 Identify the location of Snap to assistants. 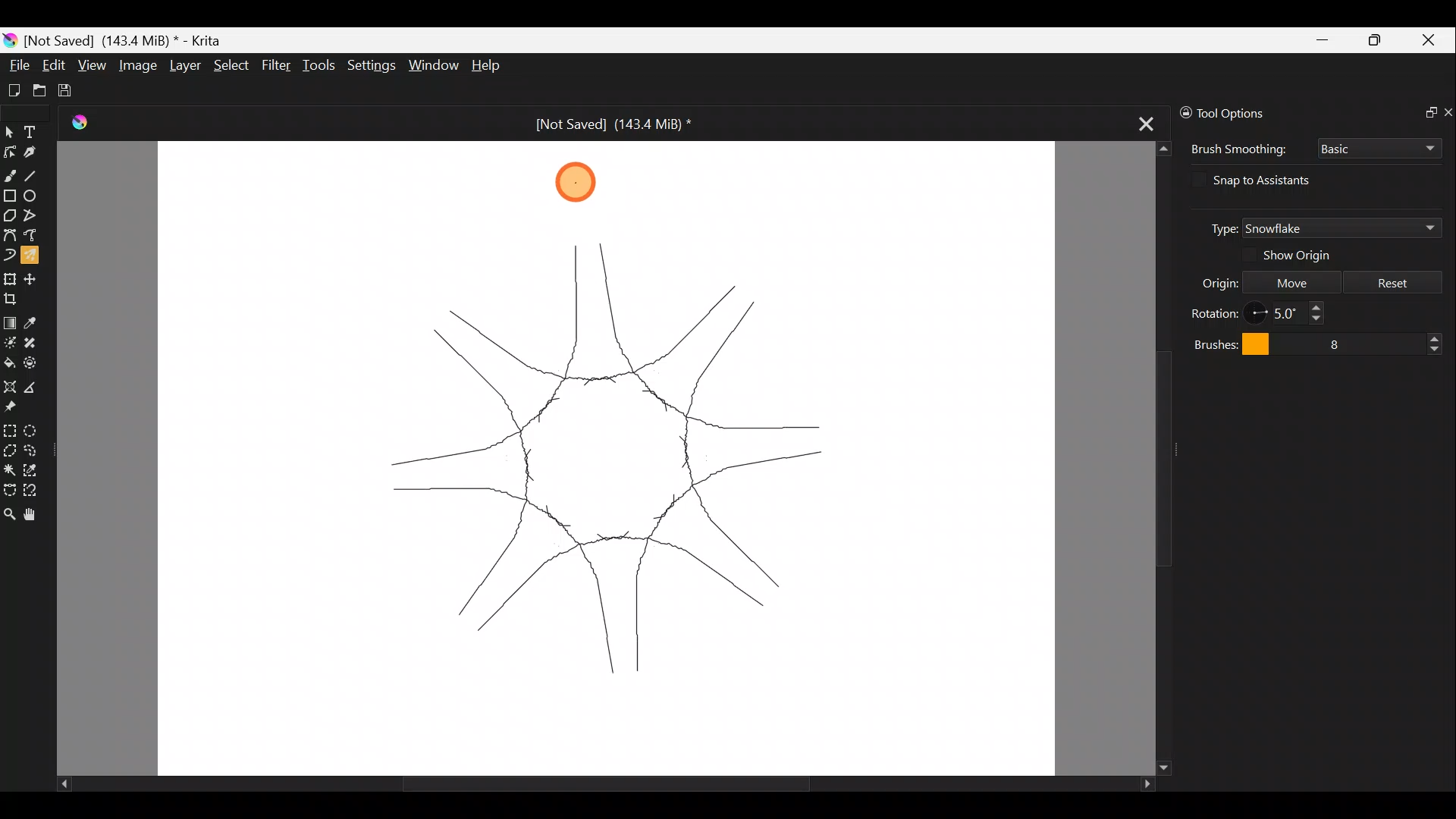
(1275, 180).